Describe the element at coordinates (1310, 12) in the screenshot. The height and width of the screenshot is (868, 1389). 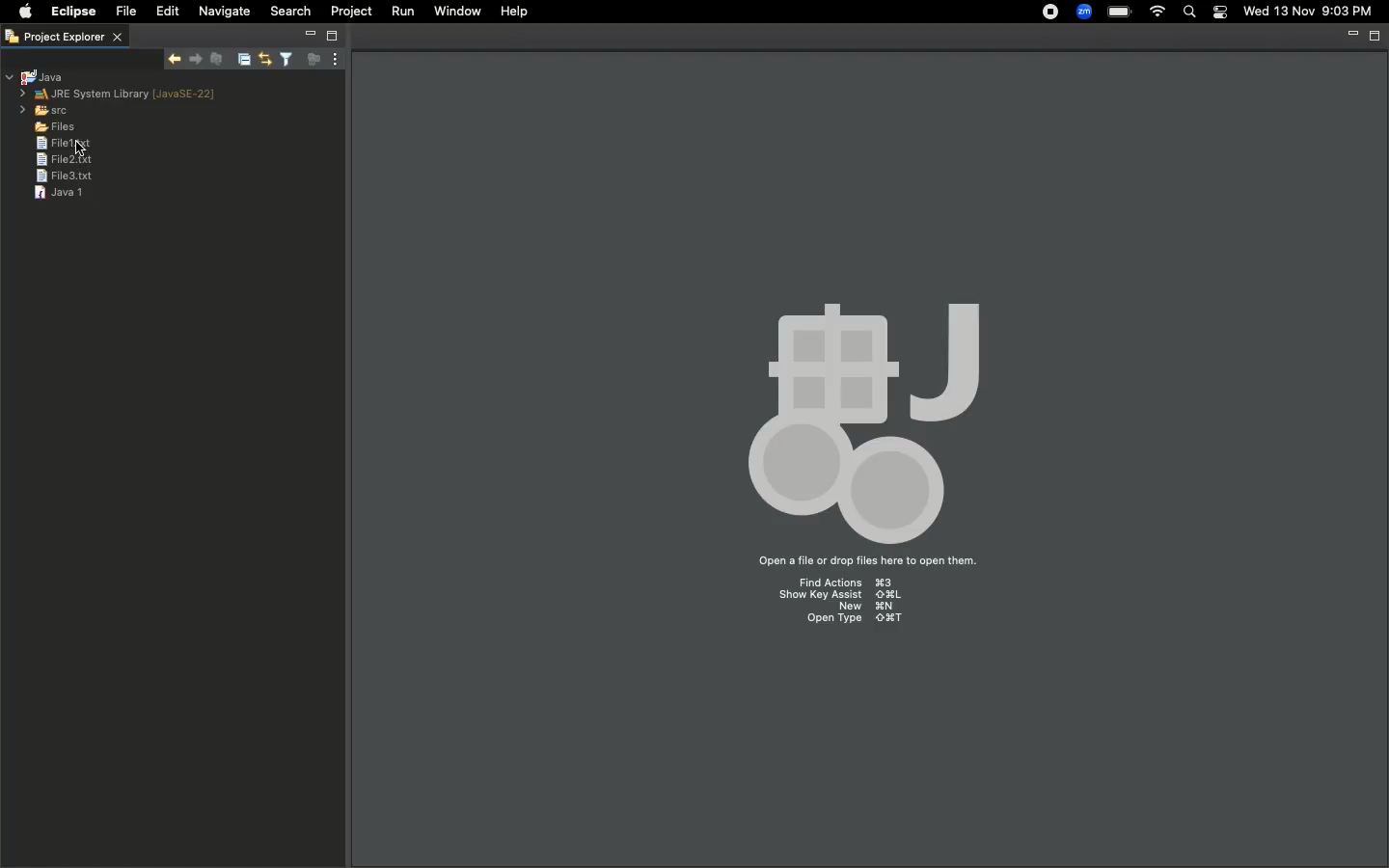
I see `Date/time` at that location.